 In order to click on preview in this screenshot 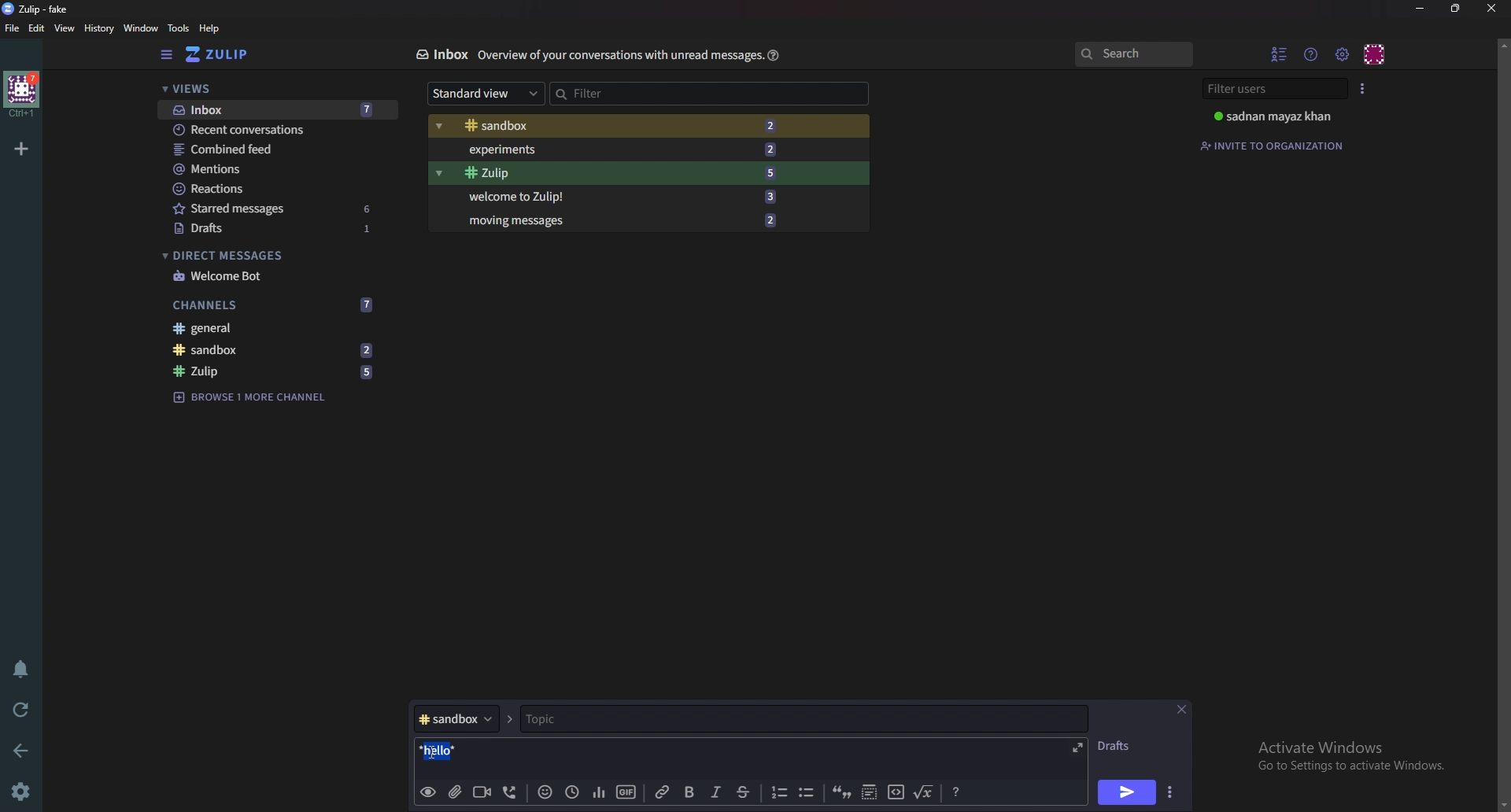, I will do `click(426, 792)`.